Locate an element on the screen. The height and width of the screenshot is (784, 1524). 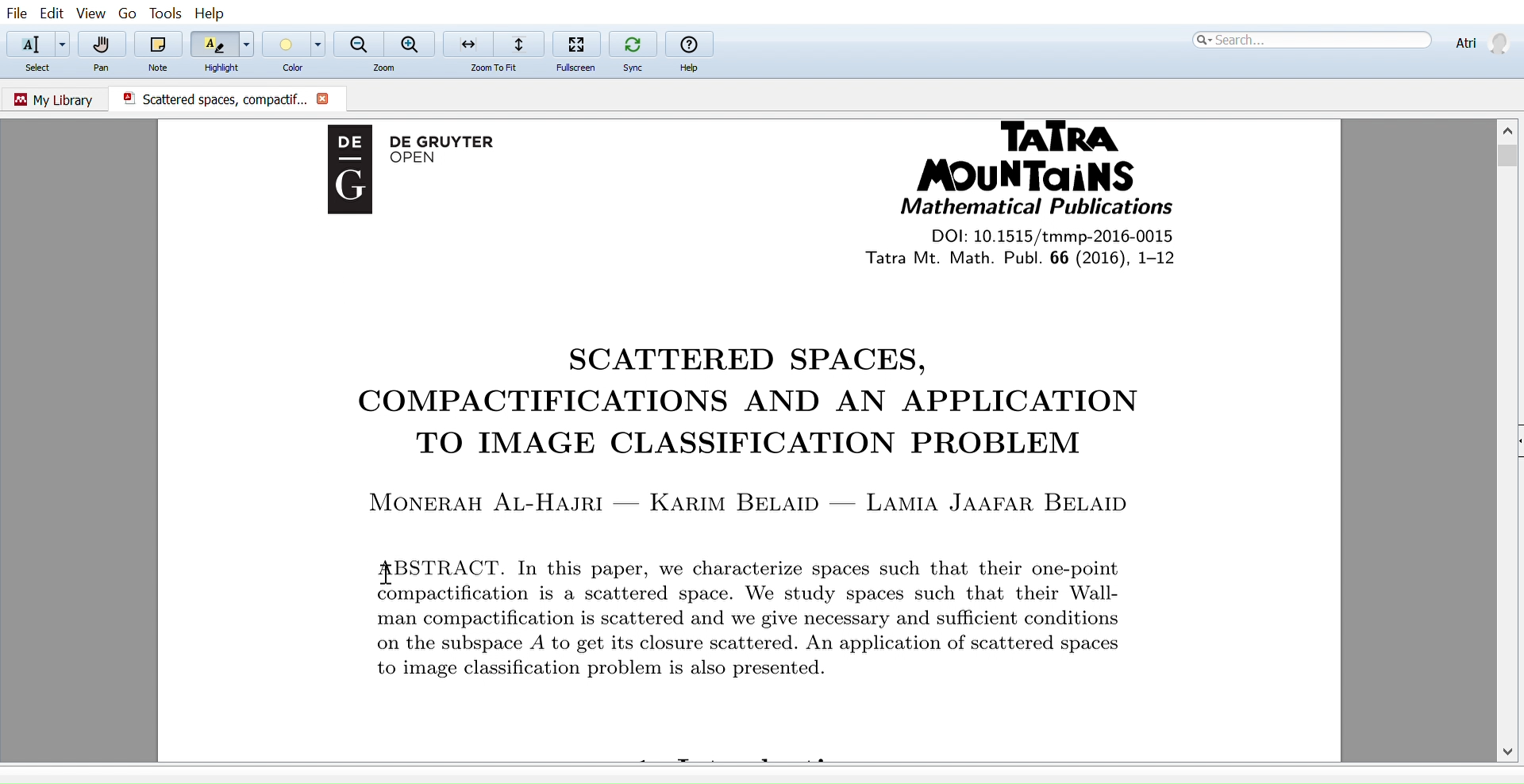
Edit is located at coordinates (51, 13).